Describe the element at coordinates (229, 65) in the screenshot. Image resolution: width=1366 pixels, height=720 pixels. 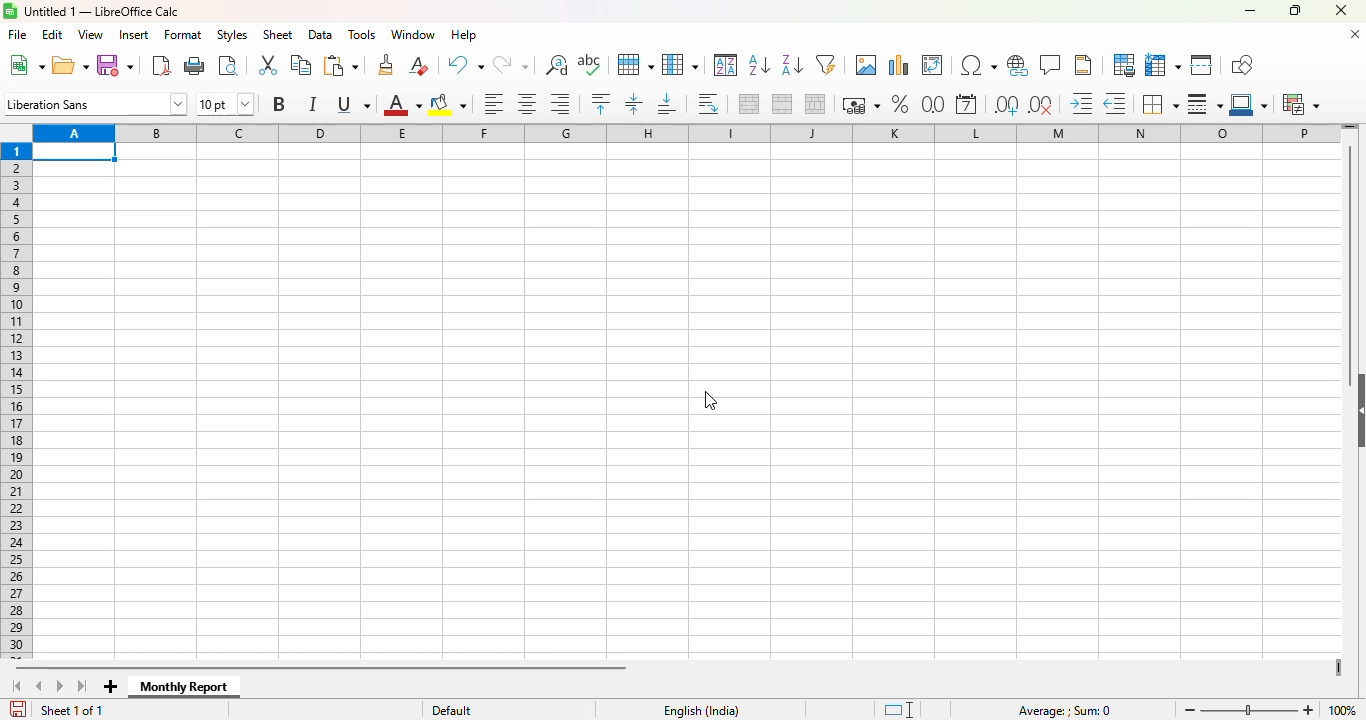
I see `toggle print preview` at that location.